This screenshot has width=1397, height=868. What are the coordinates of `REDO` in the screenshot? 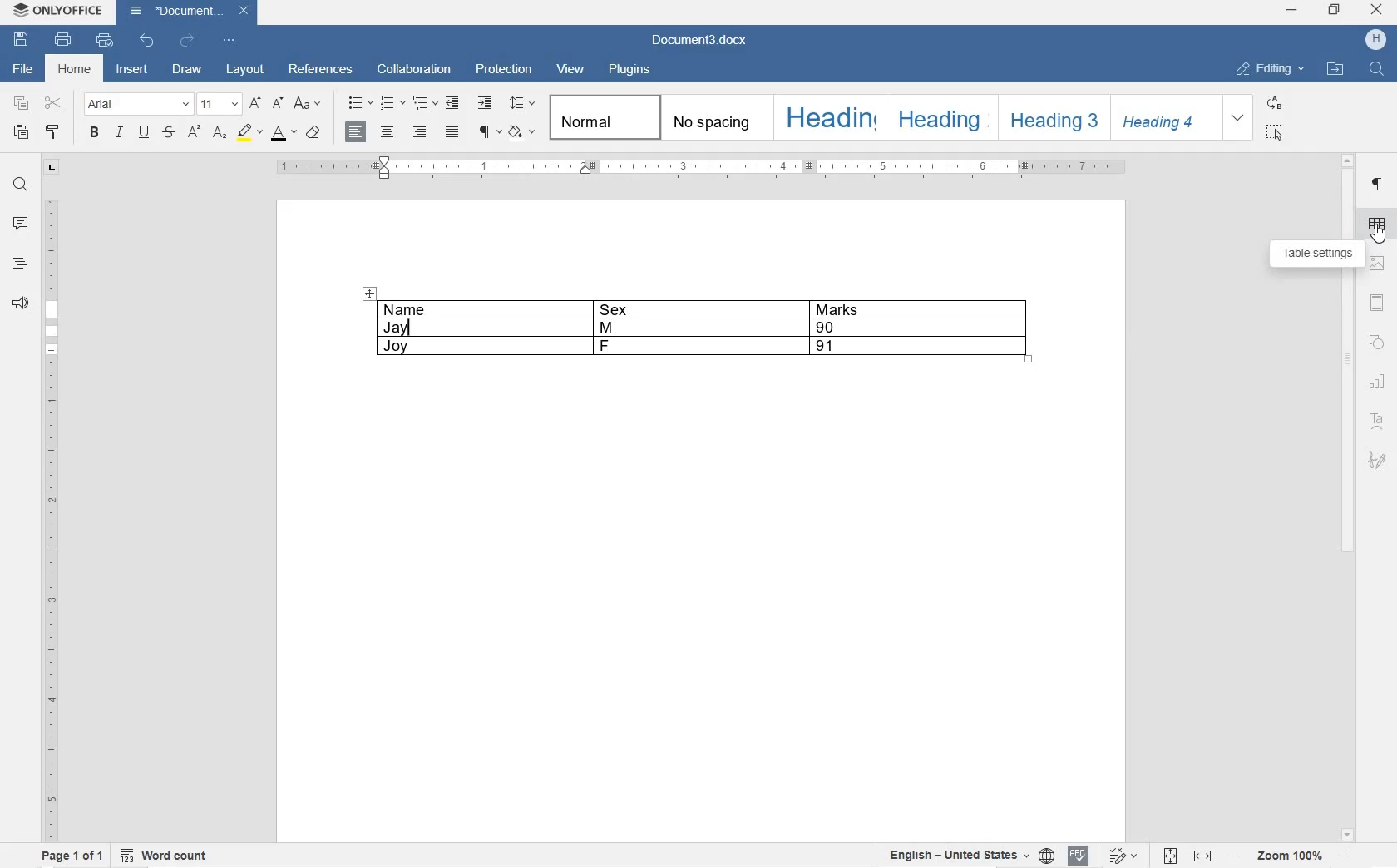 It's located at (188, 39).